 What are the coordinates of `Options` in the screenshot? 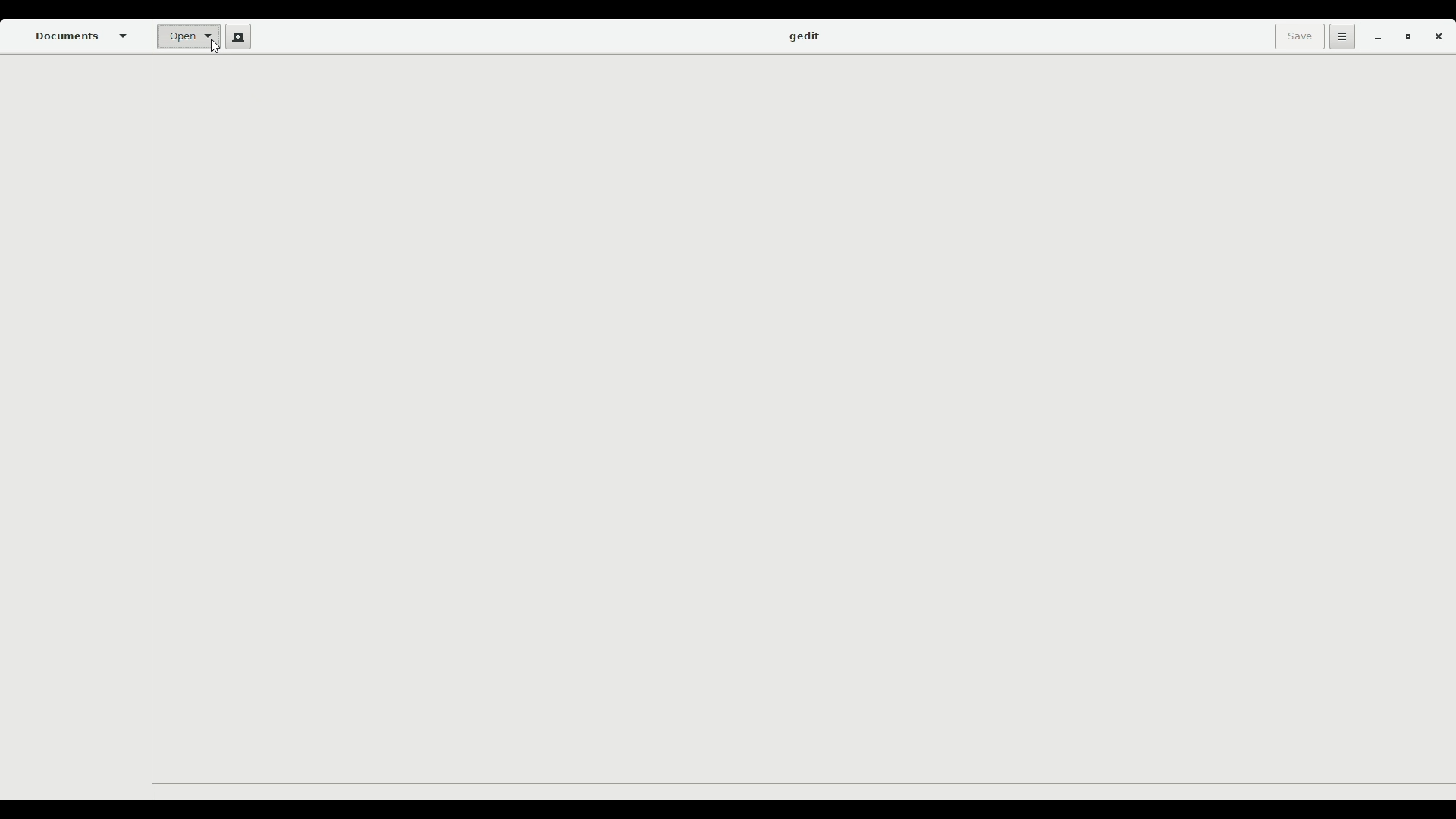 It's located at (1340, 36).